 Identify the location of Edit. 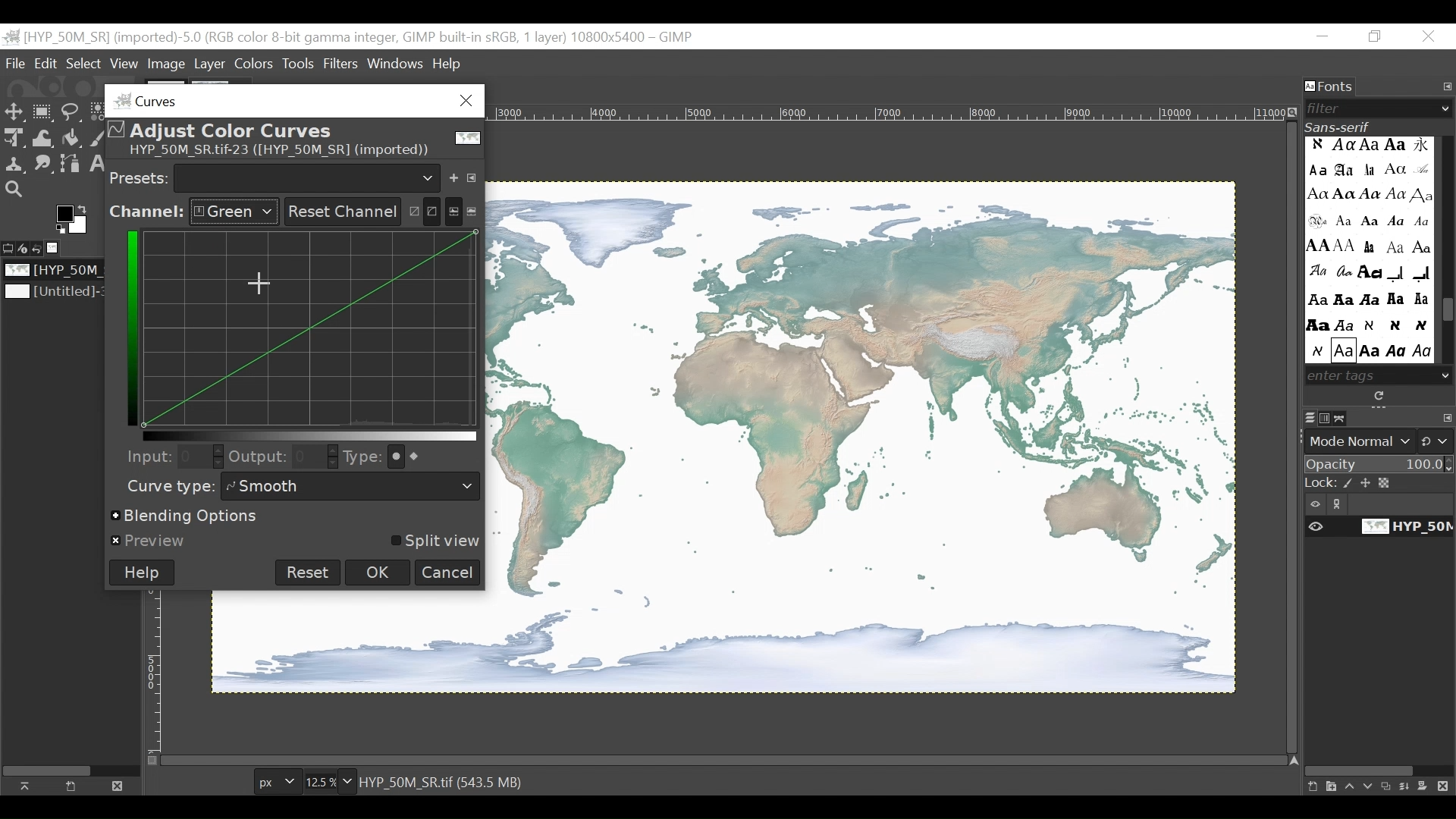
(47, 64).